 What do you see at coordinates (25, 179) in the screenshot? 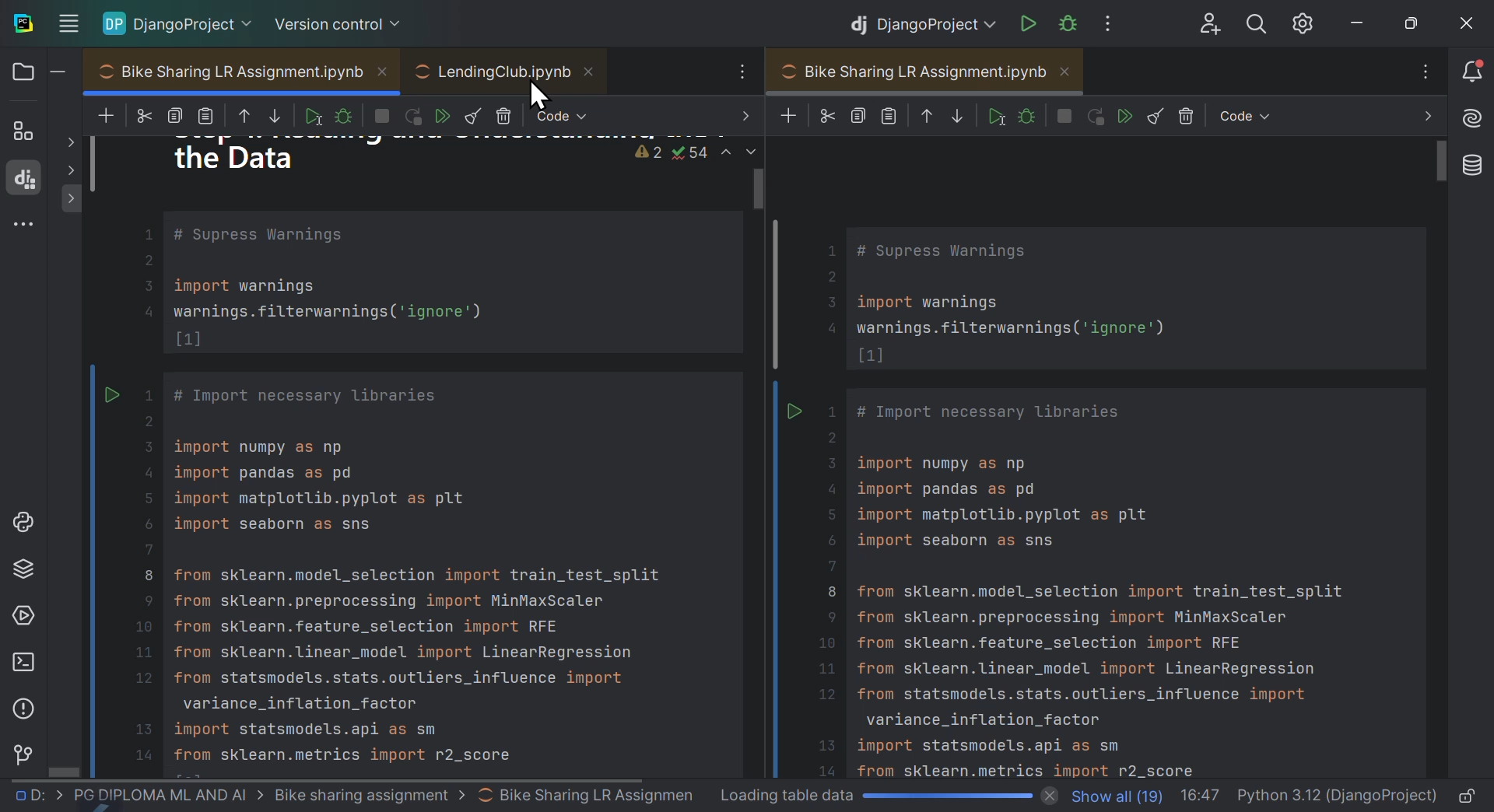
I see `Django structure` at bounding box center [25, 179].